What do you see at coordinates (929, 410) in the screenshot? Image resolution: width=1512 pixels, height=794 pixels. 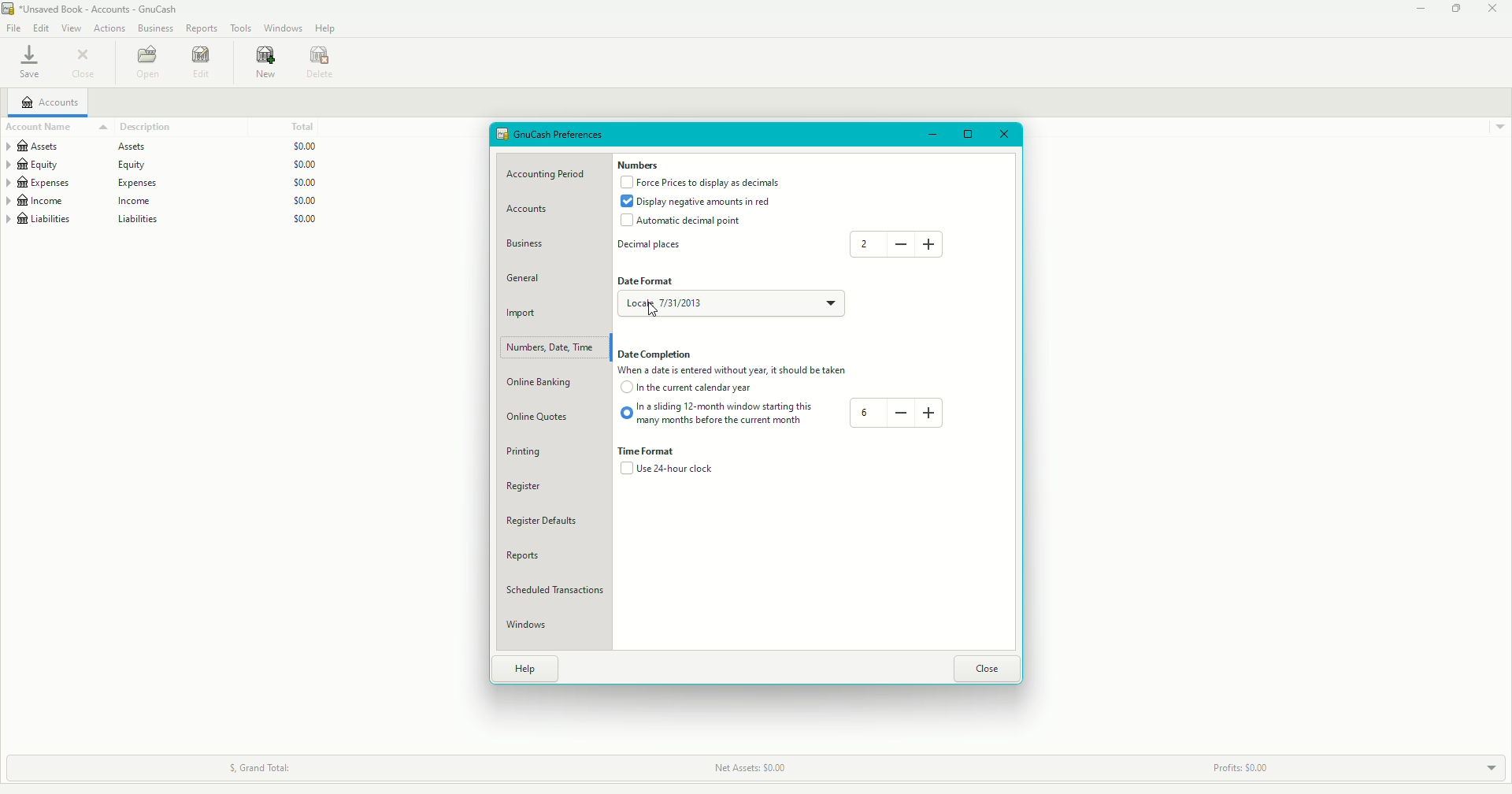 I see `Plus` at bounding box center [929, 410].